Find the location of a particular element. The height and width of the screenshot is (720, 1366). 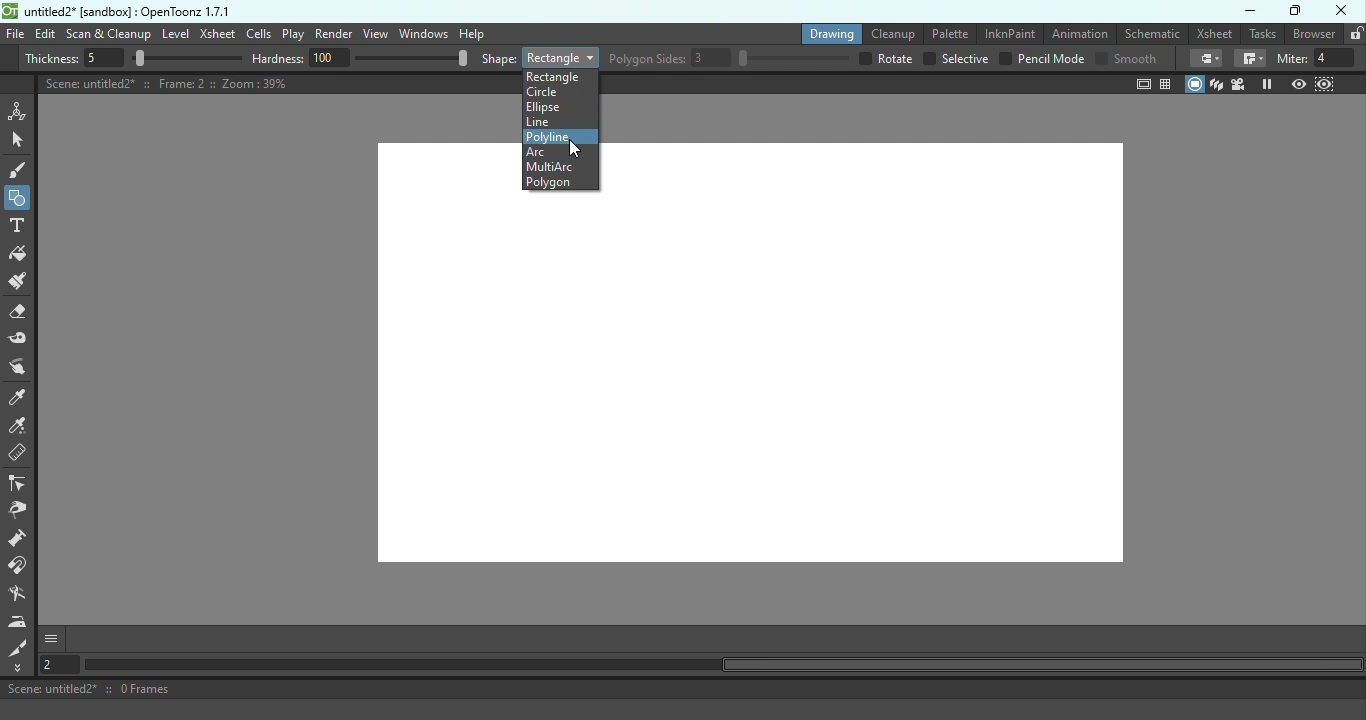

Iron tool is located at coordinates (18, 622).